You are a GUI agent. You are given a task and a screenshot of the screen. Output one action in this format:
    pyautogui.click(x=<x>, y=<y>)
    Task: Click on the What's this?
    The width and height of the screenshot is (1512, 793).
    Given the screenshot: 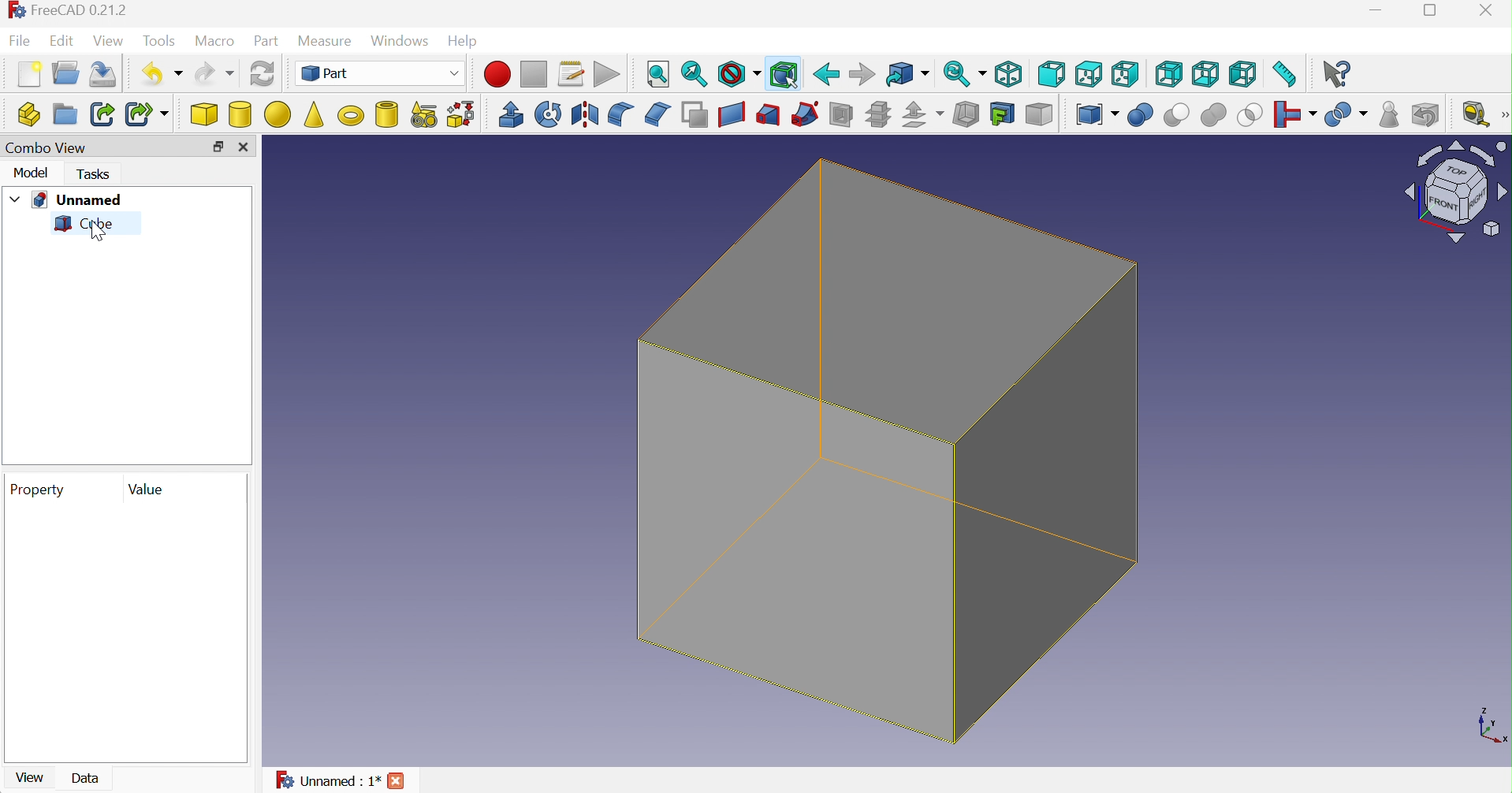 What is the action you would take?
    pyautogui.click(x=1339, y=75)
    